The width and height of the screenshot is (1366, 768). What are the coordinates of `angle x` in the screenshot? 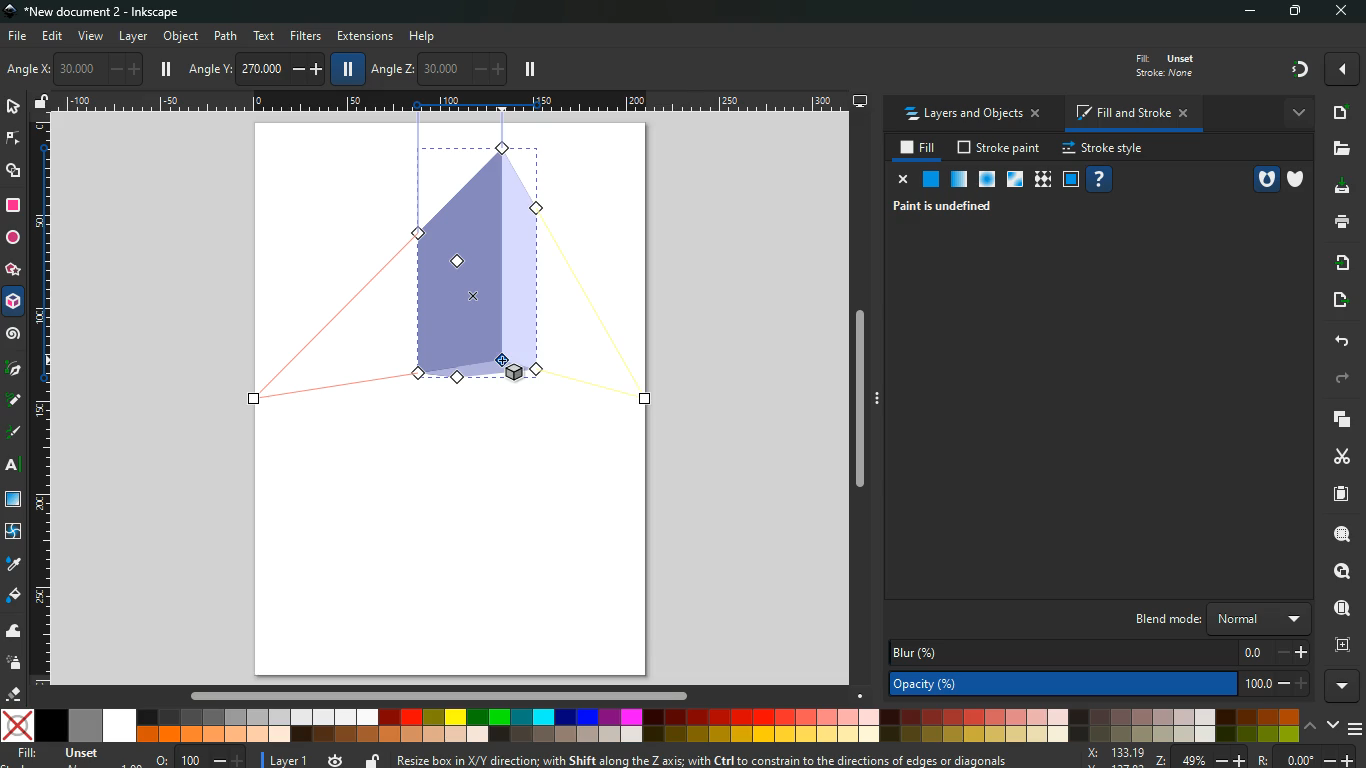 It's located at (82, 69).